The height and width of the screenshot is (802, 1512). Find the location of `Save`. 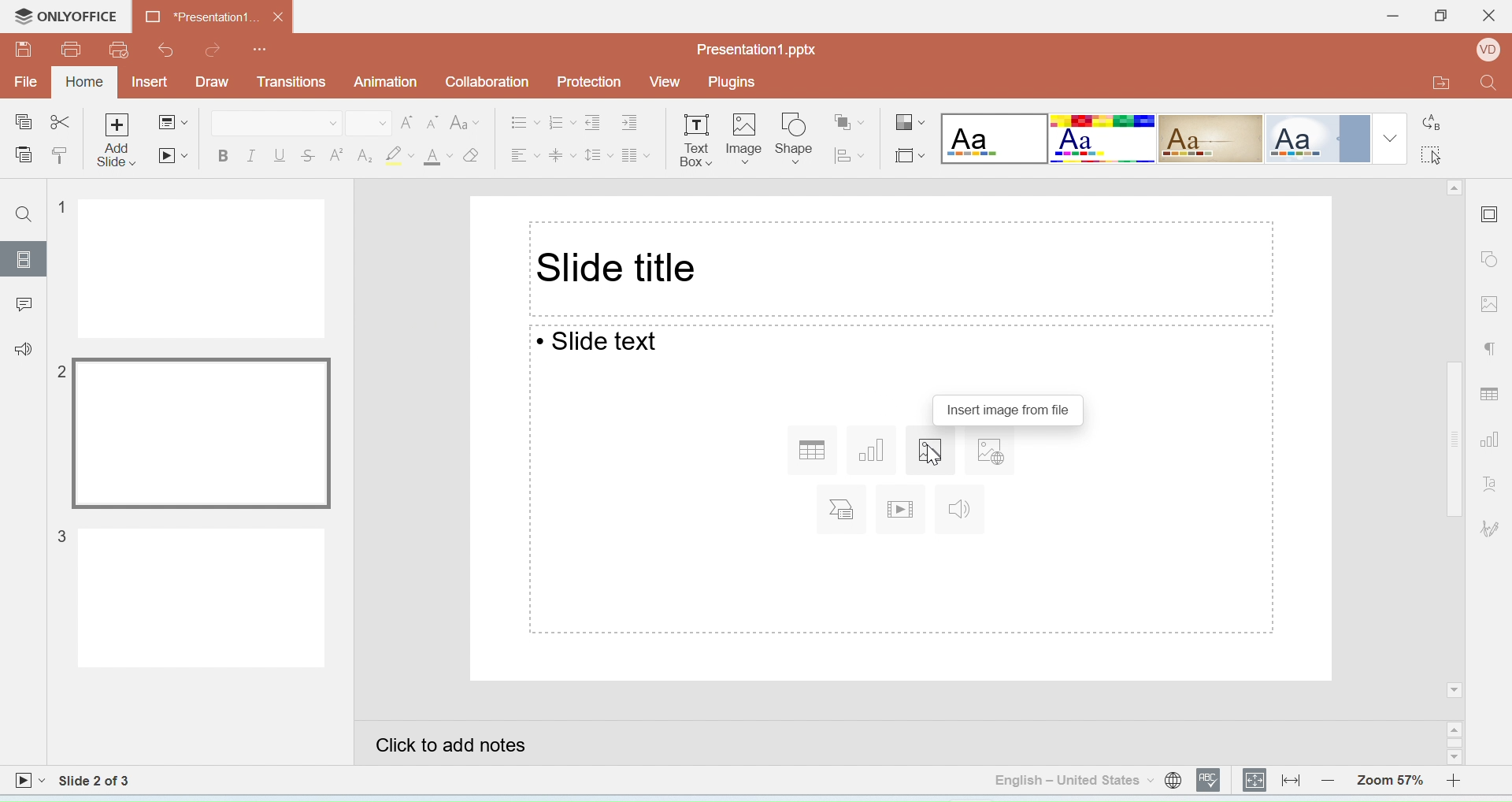

Save is located at coordinates (24, 49).